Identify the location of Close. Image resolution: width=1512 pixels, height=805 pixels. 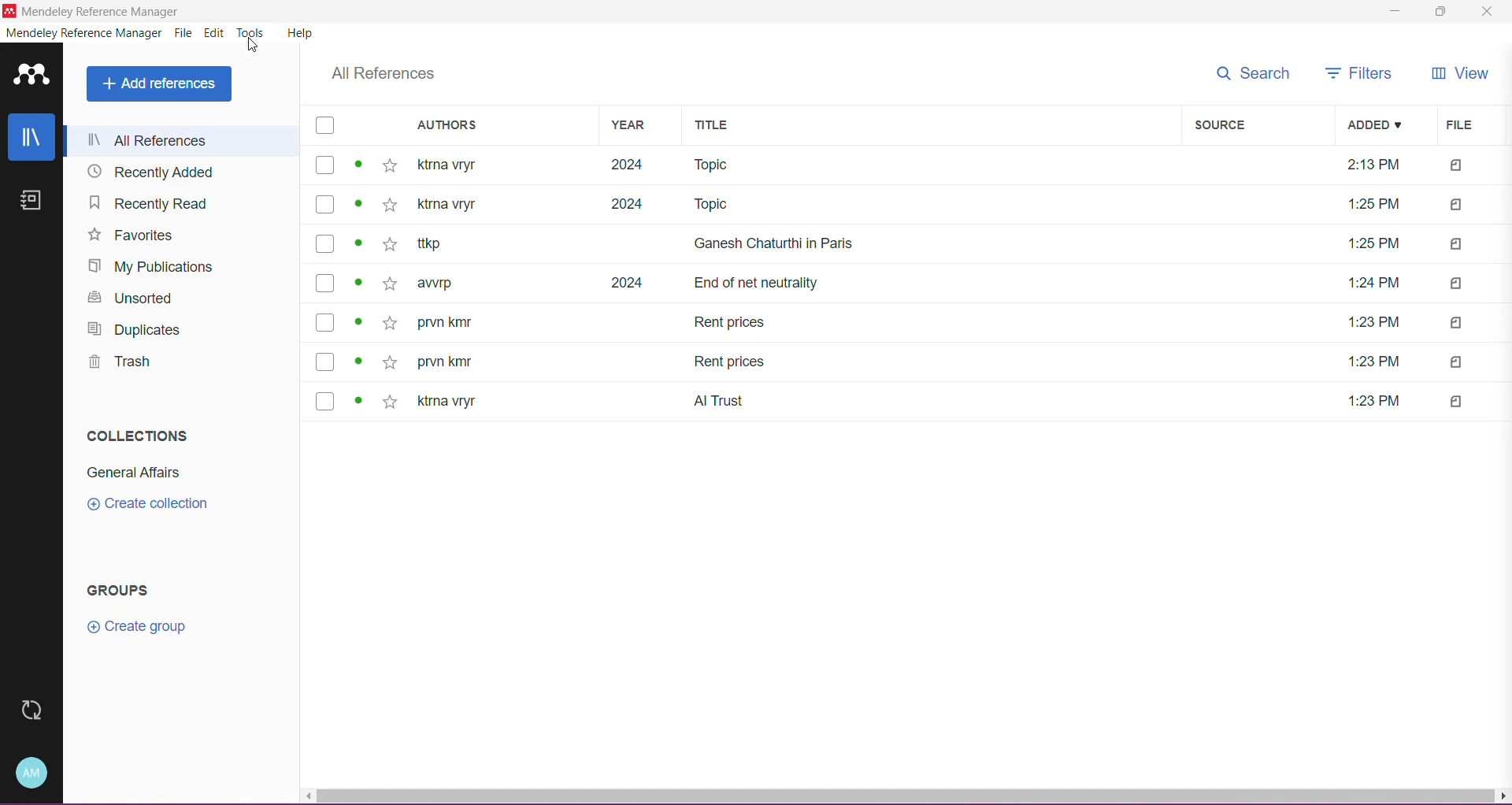
(1489, 13).